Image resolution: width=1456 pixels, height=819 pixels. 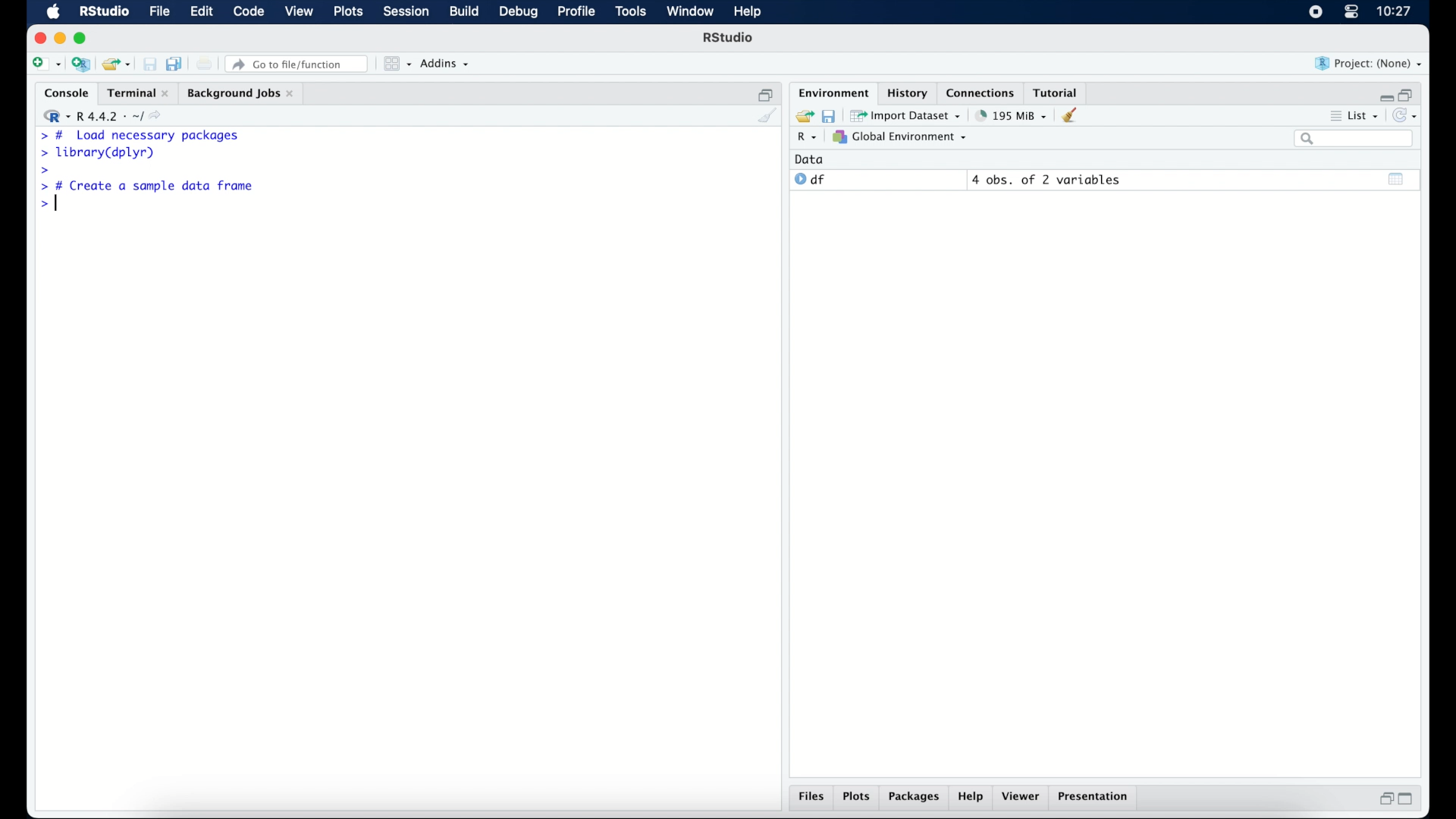 I want to click on 10.27, so click(x=1394, y=11).